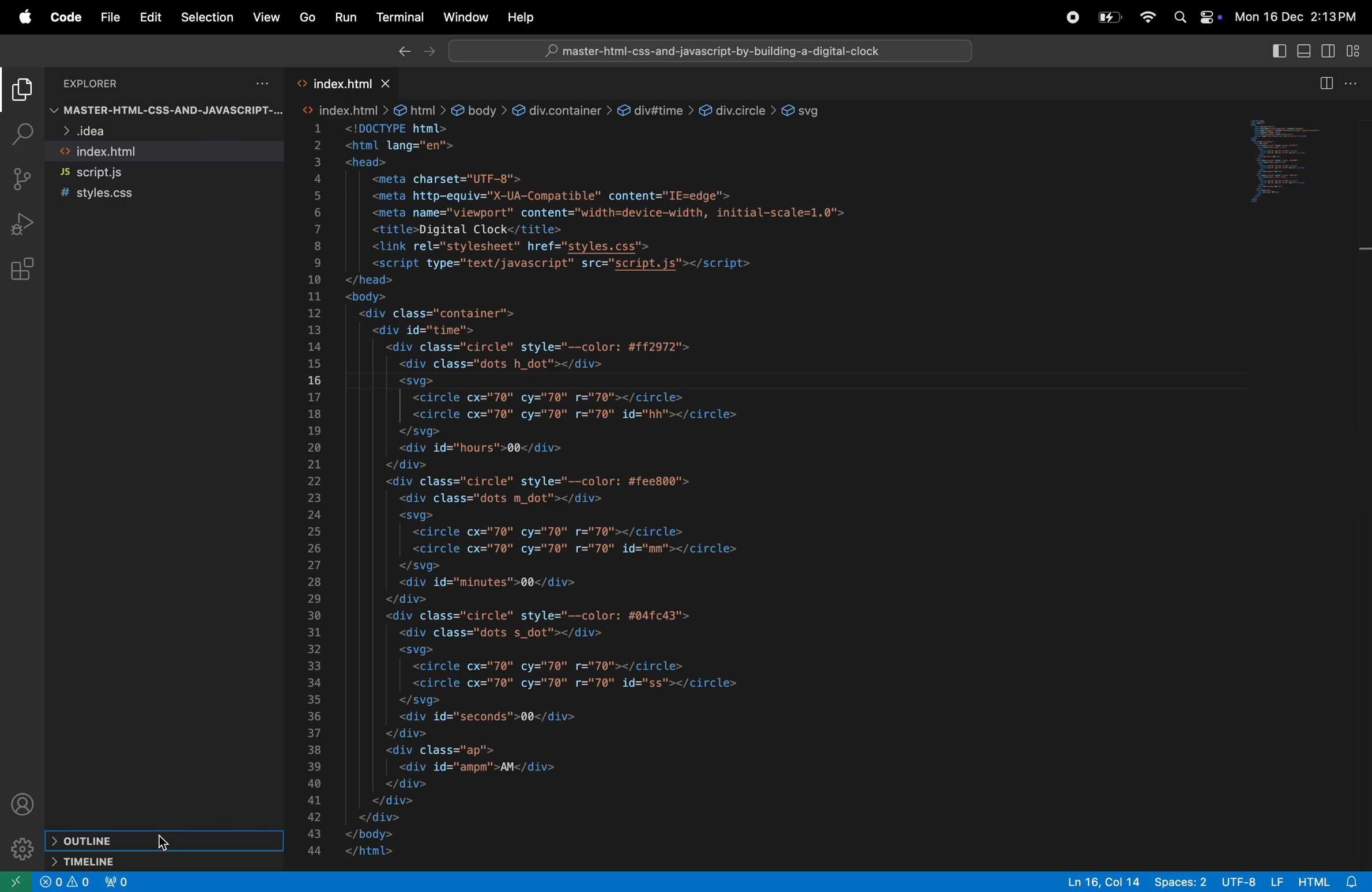 The width and height of the screenshot is (1372, 892). What do you see at coordinates (1182, 882) in the screenshot?
I see `spaces 2` at bounding box center [1182, 882].